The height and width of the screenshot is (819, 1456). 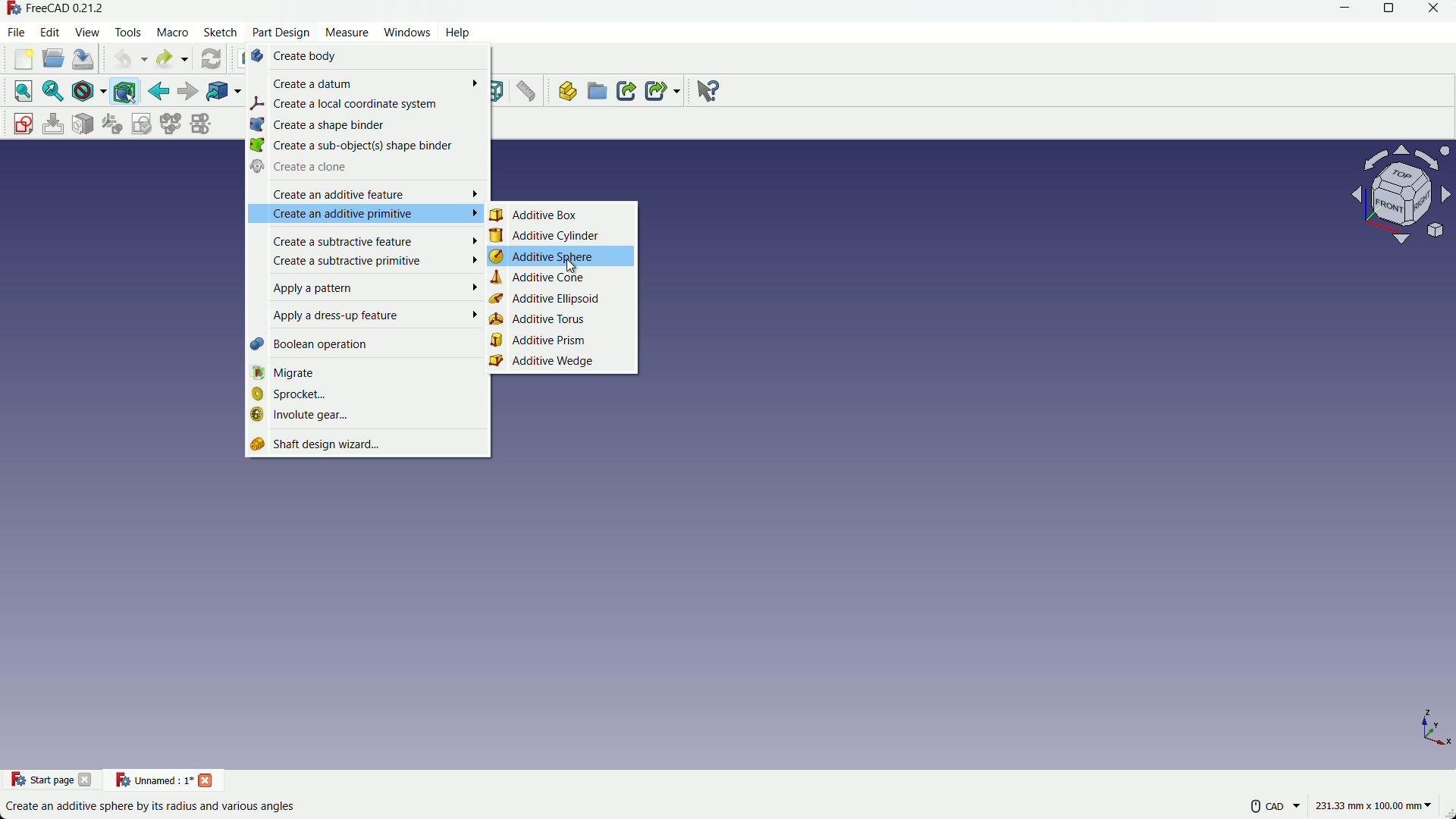 I want to click on view menu, so click(x=87, y=31).